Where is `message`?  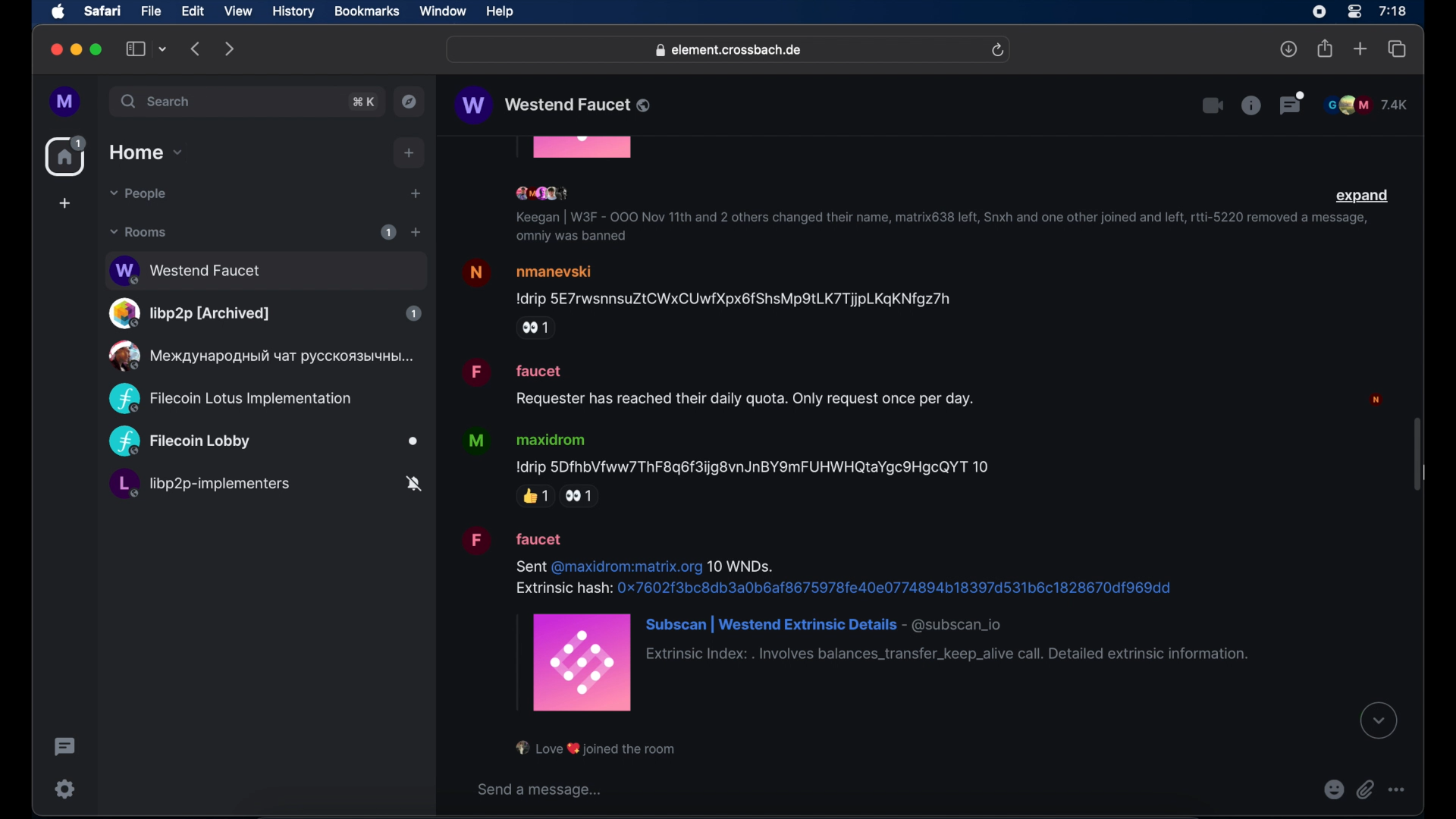 message is located at coordinates (732, 451).